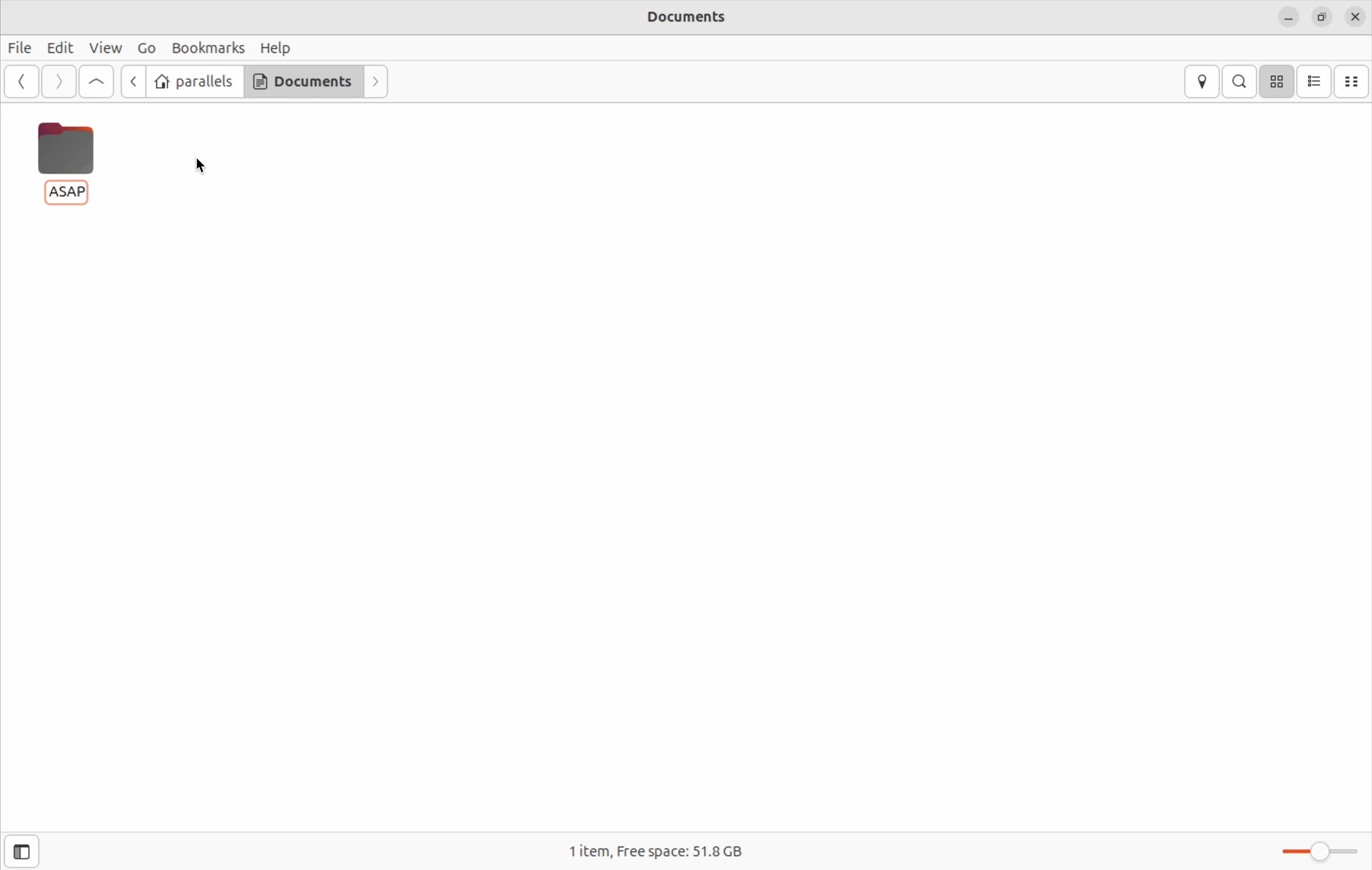  Describe the element at coordinates (106, 48) in the screenshot. I see `View` at that location.